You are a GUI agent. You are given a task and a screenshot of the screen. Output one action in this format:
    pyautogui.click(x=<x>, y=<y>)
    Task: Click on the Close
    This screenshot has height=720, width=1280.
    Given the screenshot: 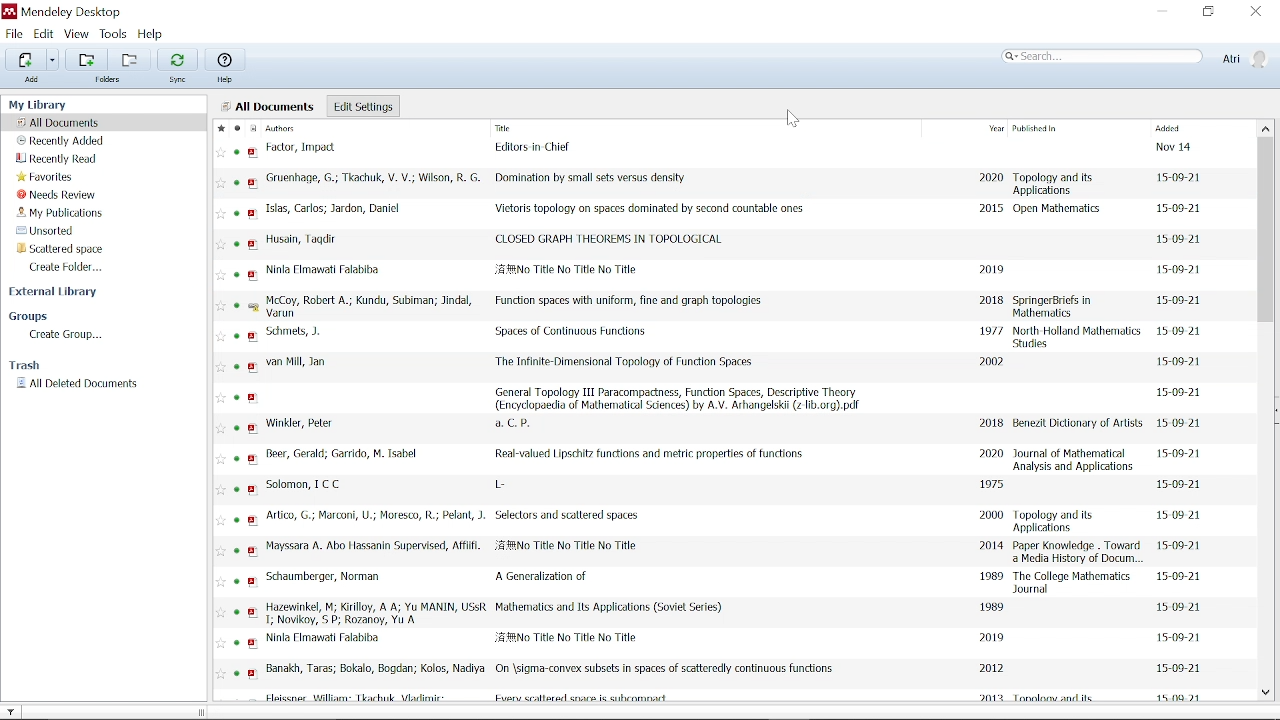 What is the action you would take?
    pyautogui.click(x=1255, y=11)
    